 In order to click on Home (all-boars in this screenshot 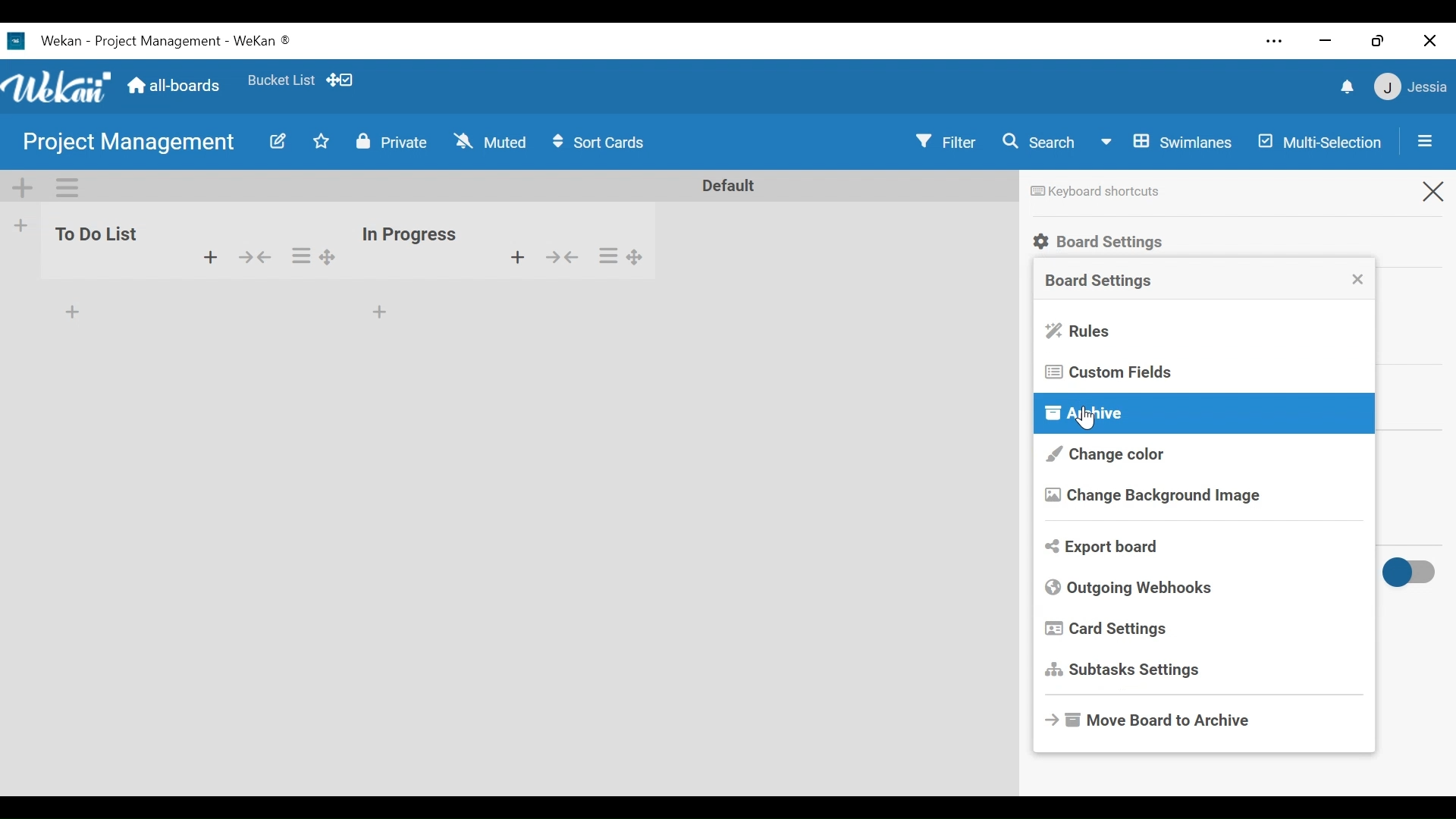, I will do `click(177, 86)`.